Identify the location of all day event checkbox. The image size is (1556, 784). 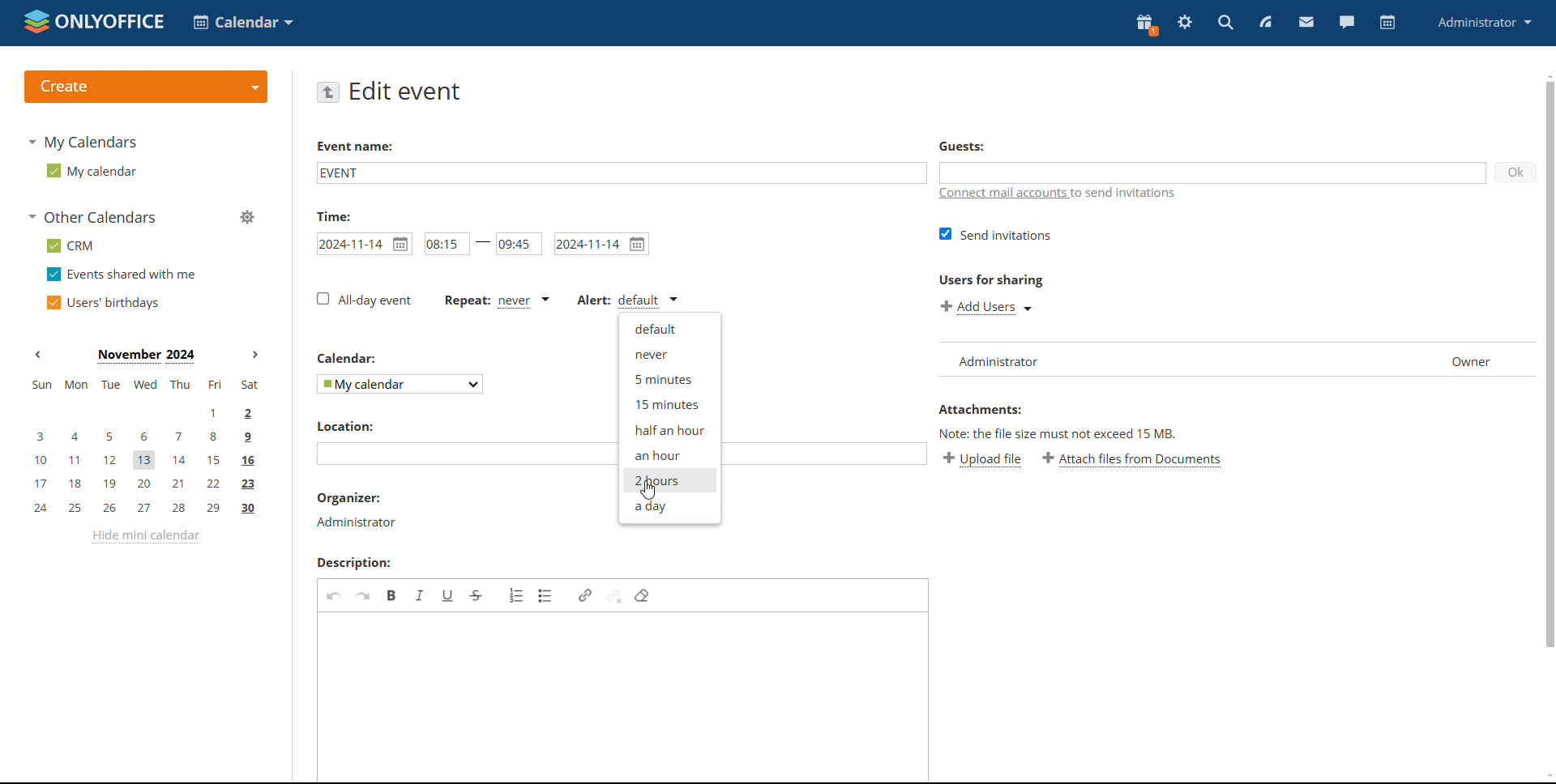
(362, 300).